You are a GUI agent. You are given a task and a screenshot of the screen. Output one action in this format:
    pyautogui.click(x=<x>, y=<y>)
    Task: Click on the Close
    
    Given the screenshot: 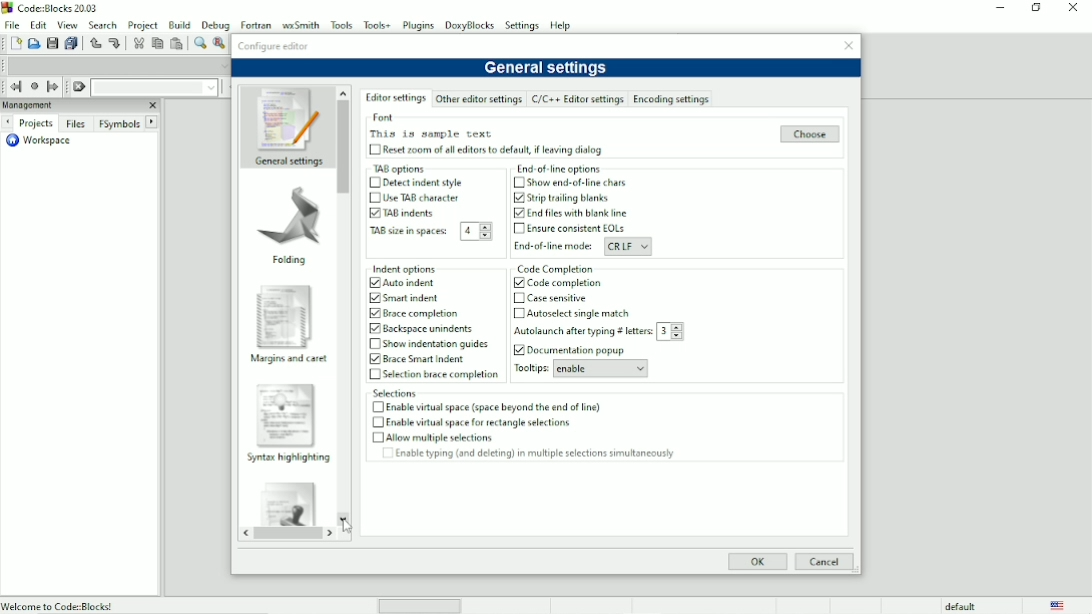 What is the action you would take?
    pyautogui.click(x=848, y=44)
    